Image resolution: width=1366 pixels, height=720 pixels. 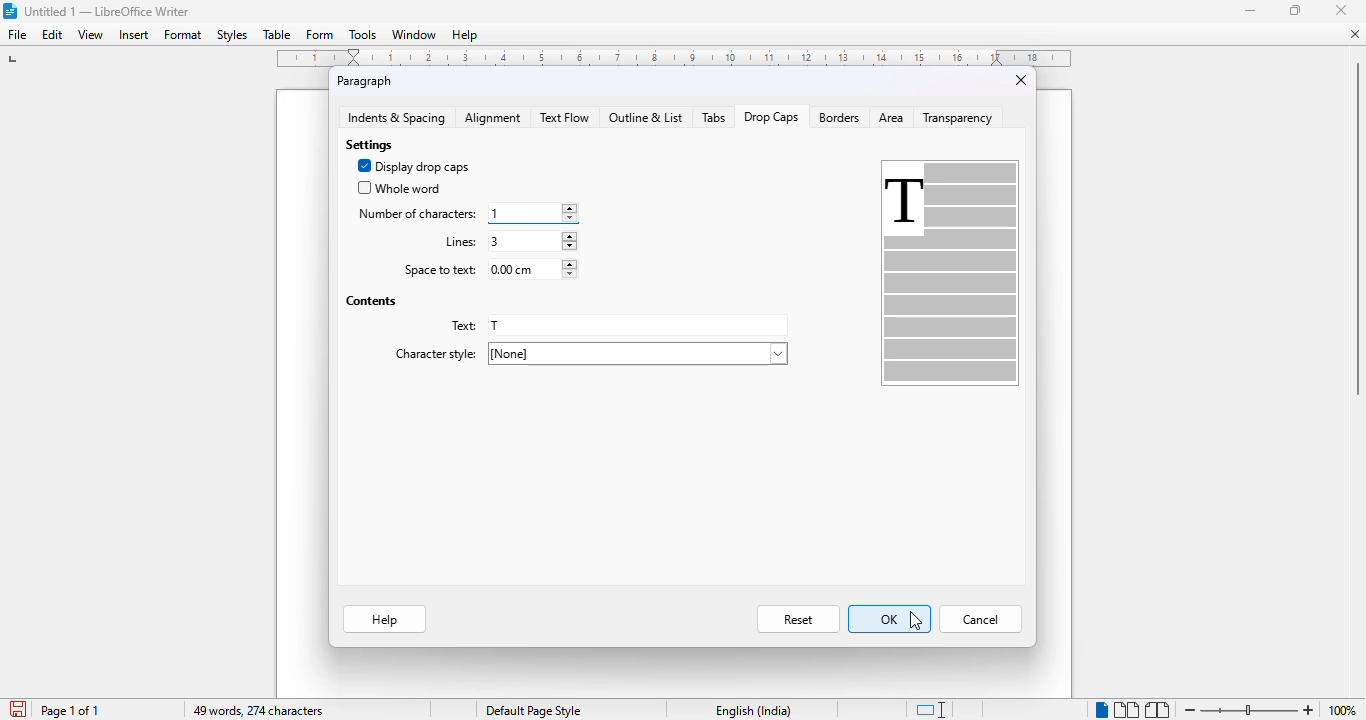 I want to click on minimize, so click(x=1251, y=12).